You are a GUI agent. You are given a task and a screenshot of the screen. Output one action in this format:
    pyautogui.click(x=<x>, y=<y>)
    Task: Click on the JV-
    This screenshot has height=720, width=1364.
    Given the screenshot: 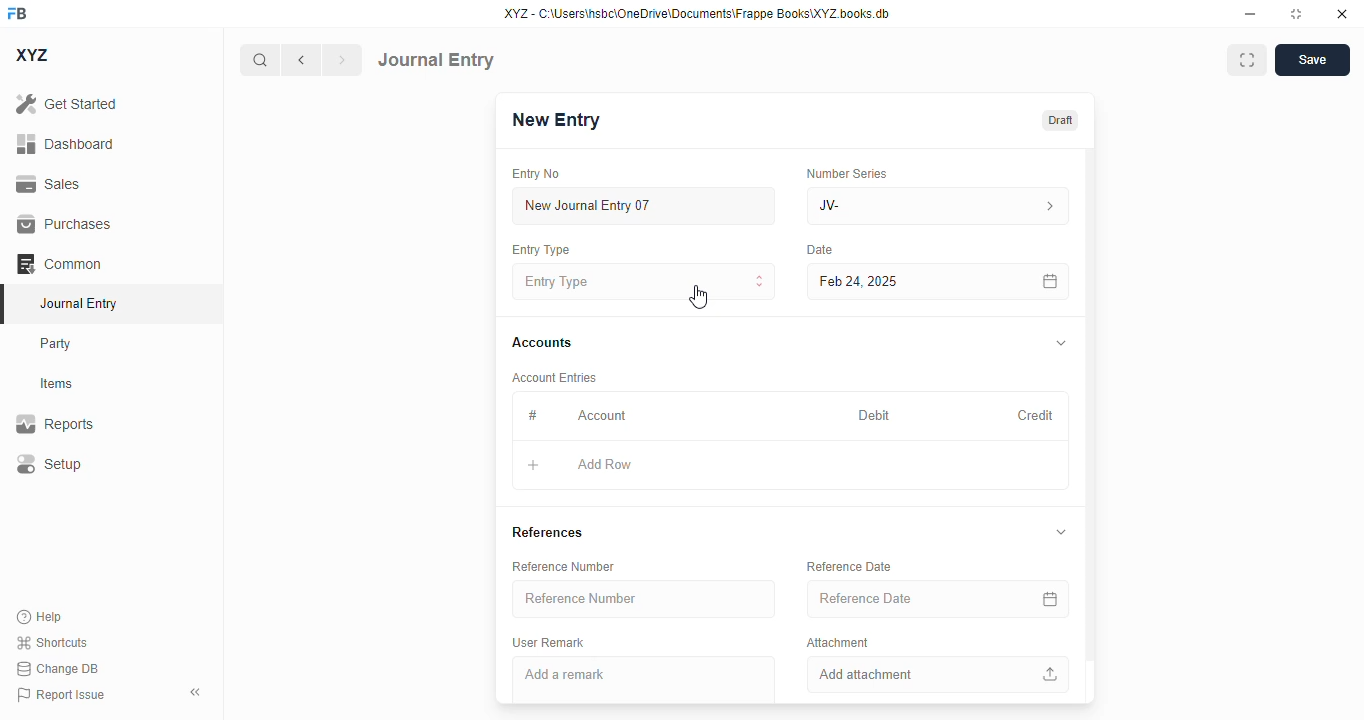 What is the action you would take?
    pyautogui.click(x=938, y=206)
    